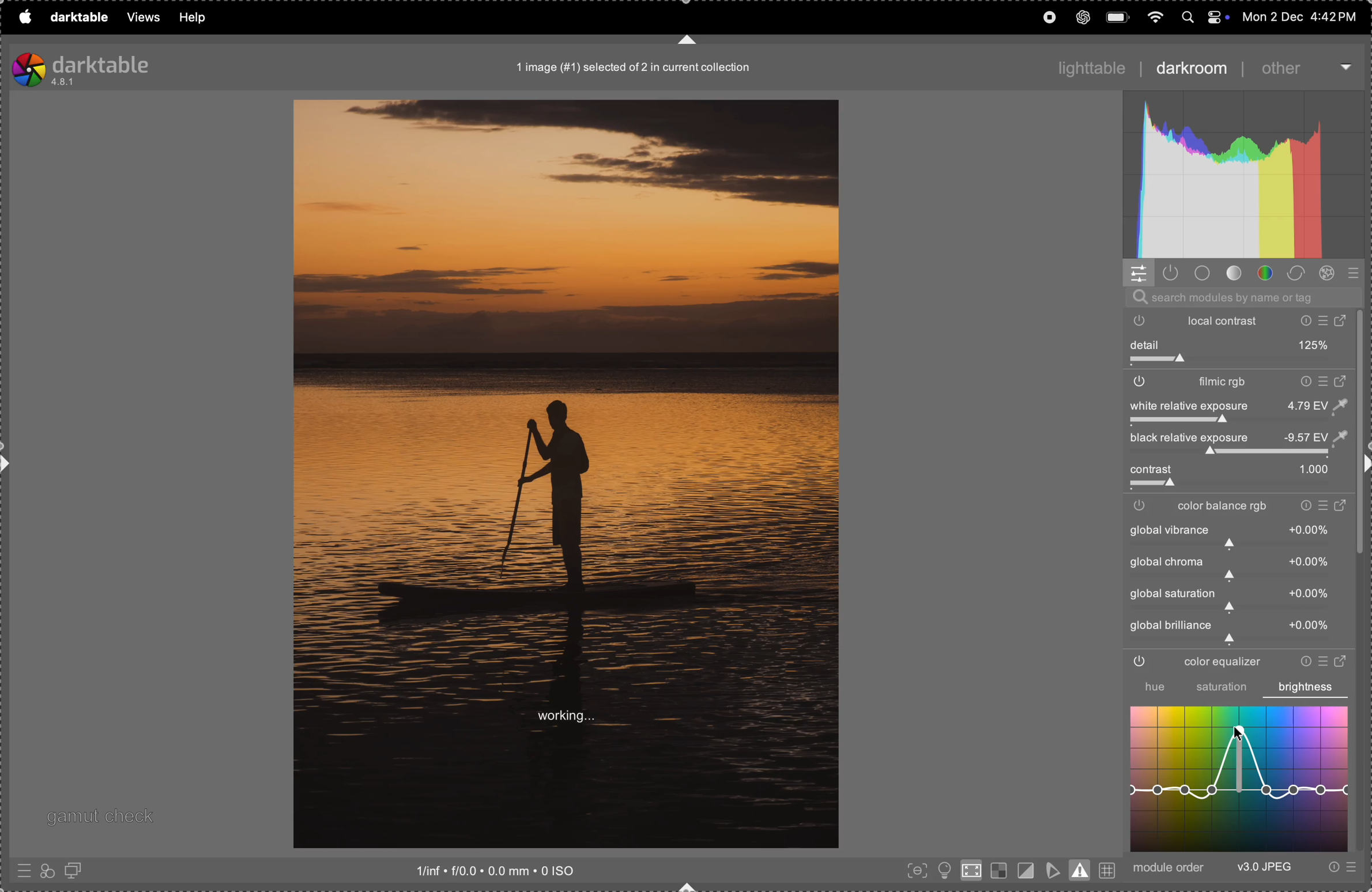 Image resolution: width=1372 pixels, height=892 pixels. What do you see at coordinates (566, 474) in the screenshot?
I see `image` at bounding box center [566, 474].